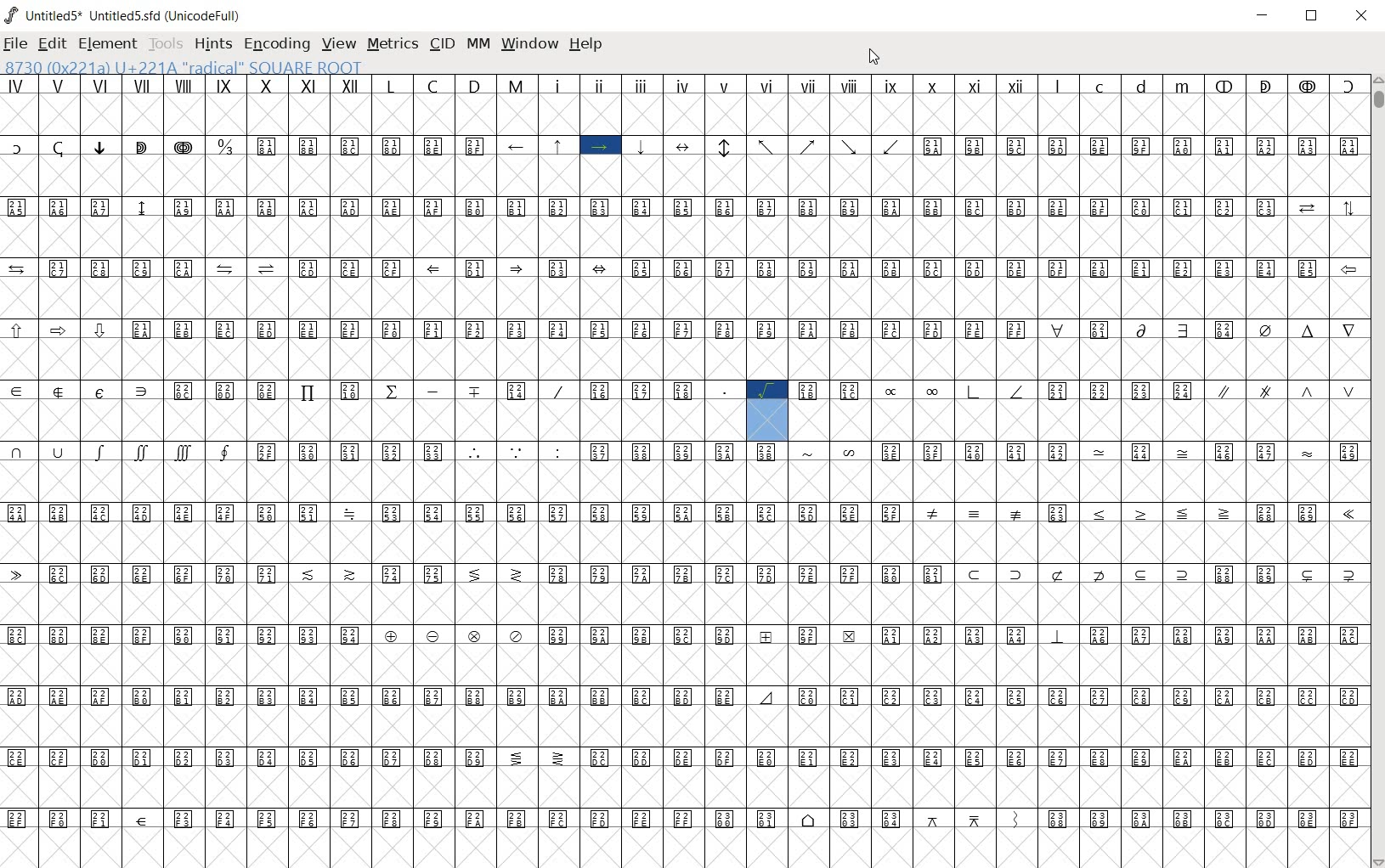 The width and height of the screenshot is (1385, 868). What do you see at coordinates (212, 44) in the screenshot?
I see `HINTS` at bounding box center [212, 44].